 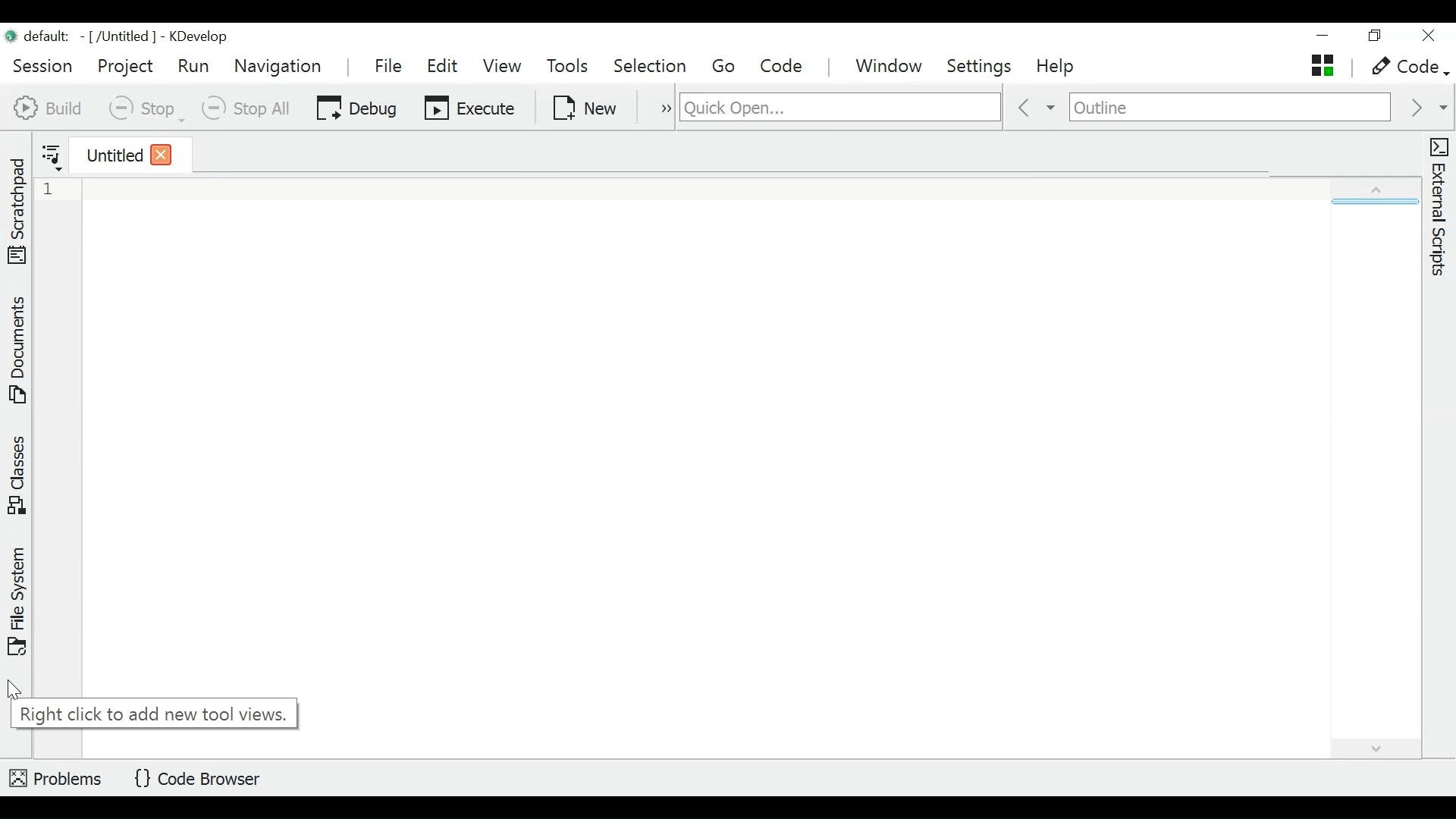 What do you see at coordinates (49, 106) in the screenshot?
I see `Build` at bounding box center [49, 106].